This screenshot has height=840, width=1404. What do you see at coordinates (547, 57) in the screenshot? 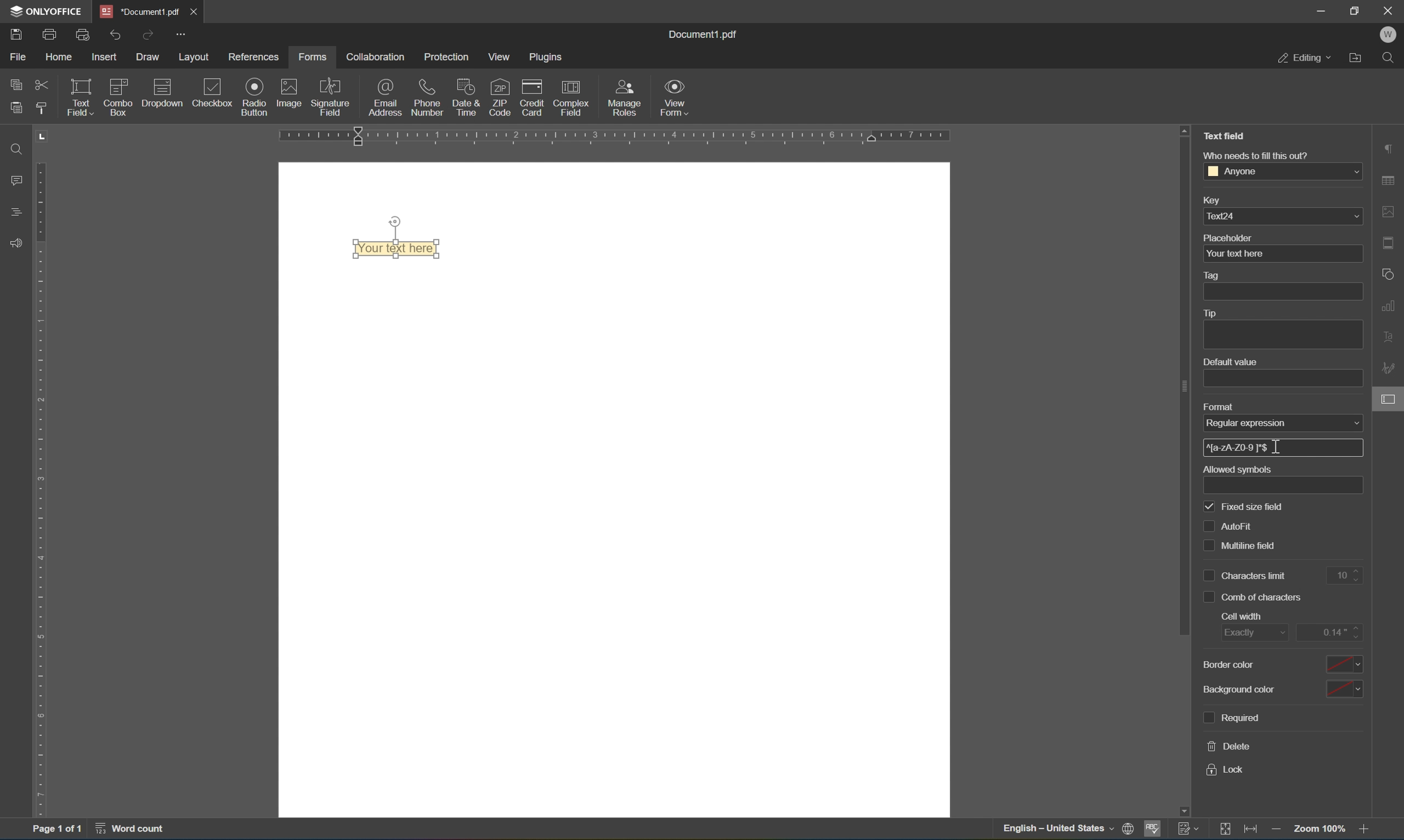
I see `plugins` at bounding box center [547, 57].